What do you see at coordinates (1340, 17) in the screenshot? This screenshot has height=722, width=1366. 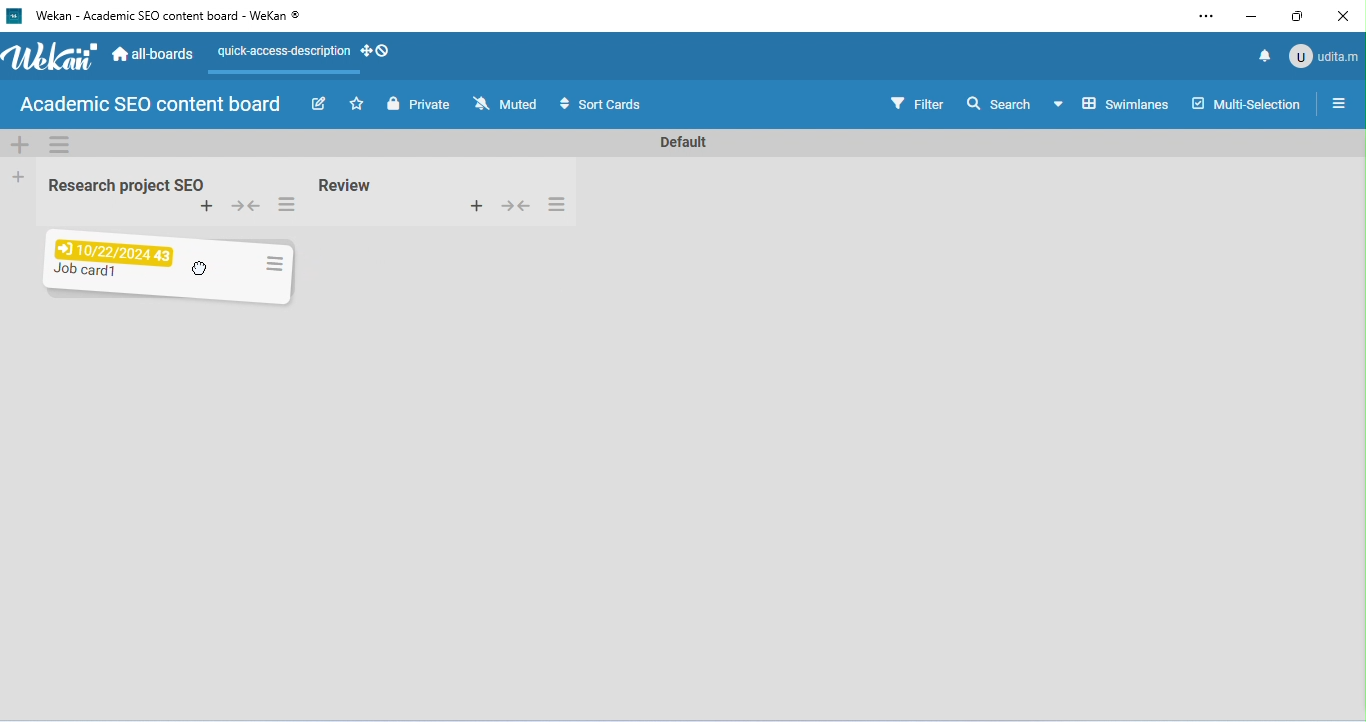 I see `close` at bounding box center [1340, 17].